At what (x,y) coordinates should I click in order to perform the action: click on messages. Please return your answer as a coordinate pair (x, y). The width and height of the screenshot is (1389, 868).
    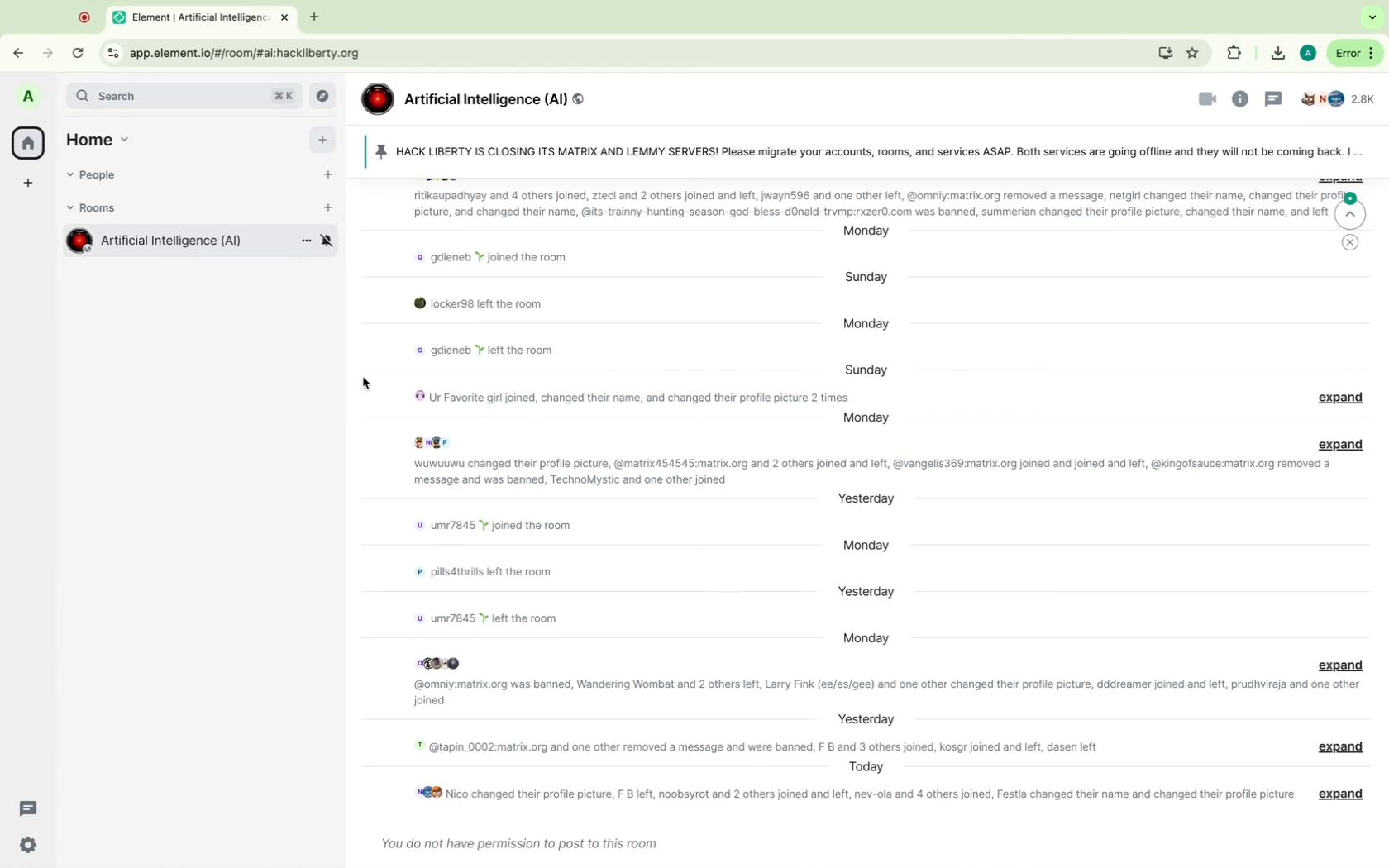
    Looking at the image, I should click on (523, 845).